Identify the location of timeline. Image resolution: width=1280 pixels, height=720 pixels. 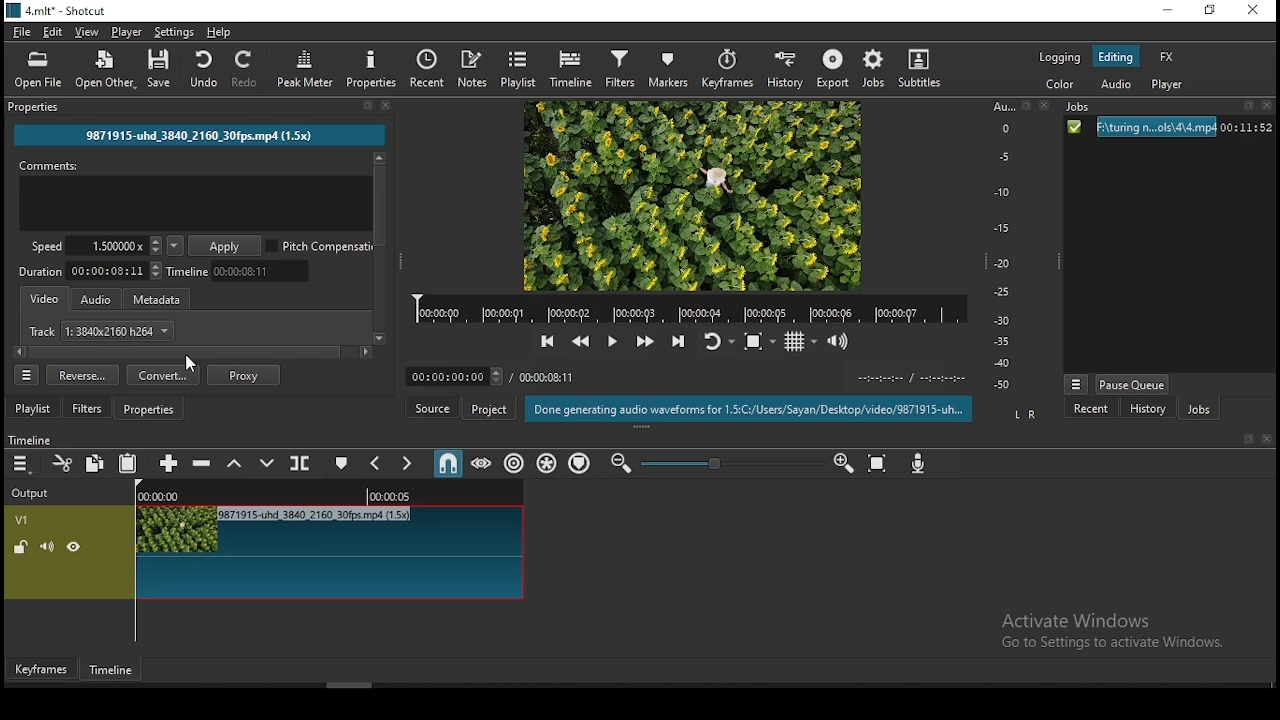
(239, 272).